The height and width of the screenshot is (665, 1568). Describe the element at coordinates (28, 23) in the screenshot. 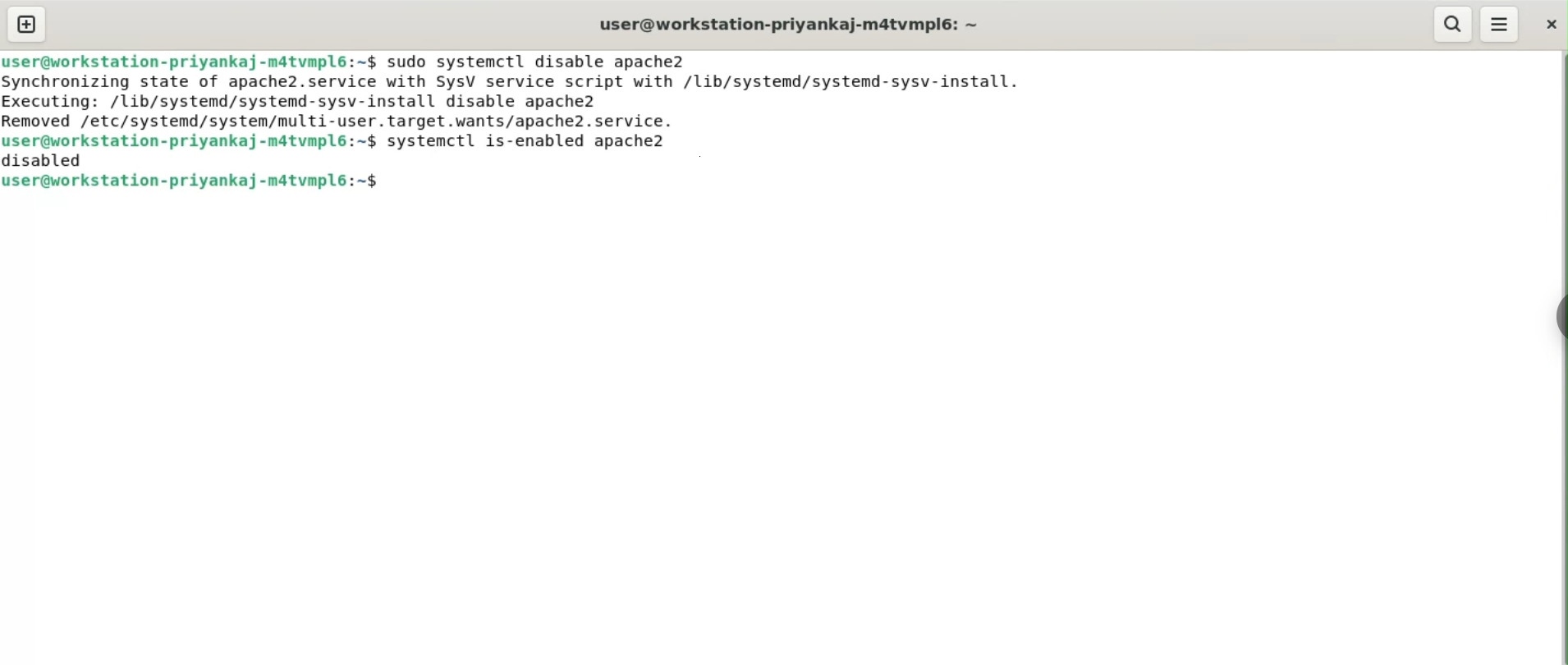

I see `new tab` at that location.